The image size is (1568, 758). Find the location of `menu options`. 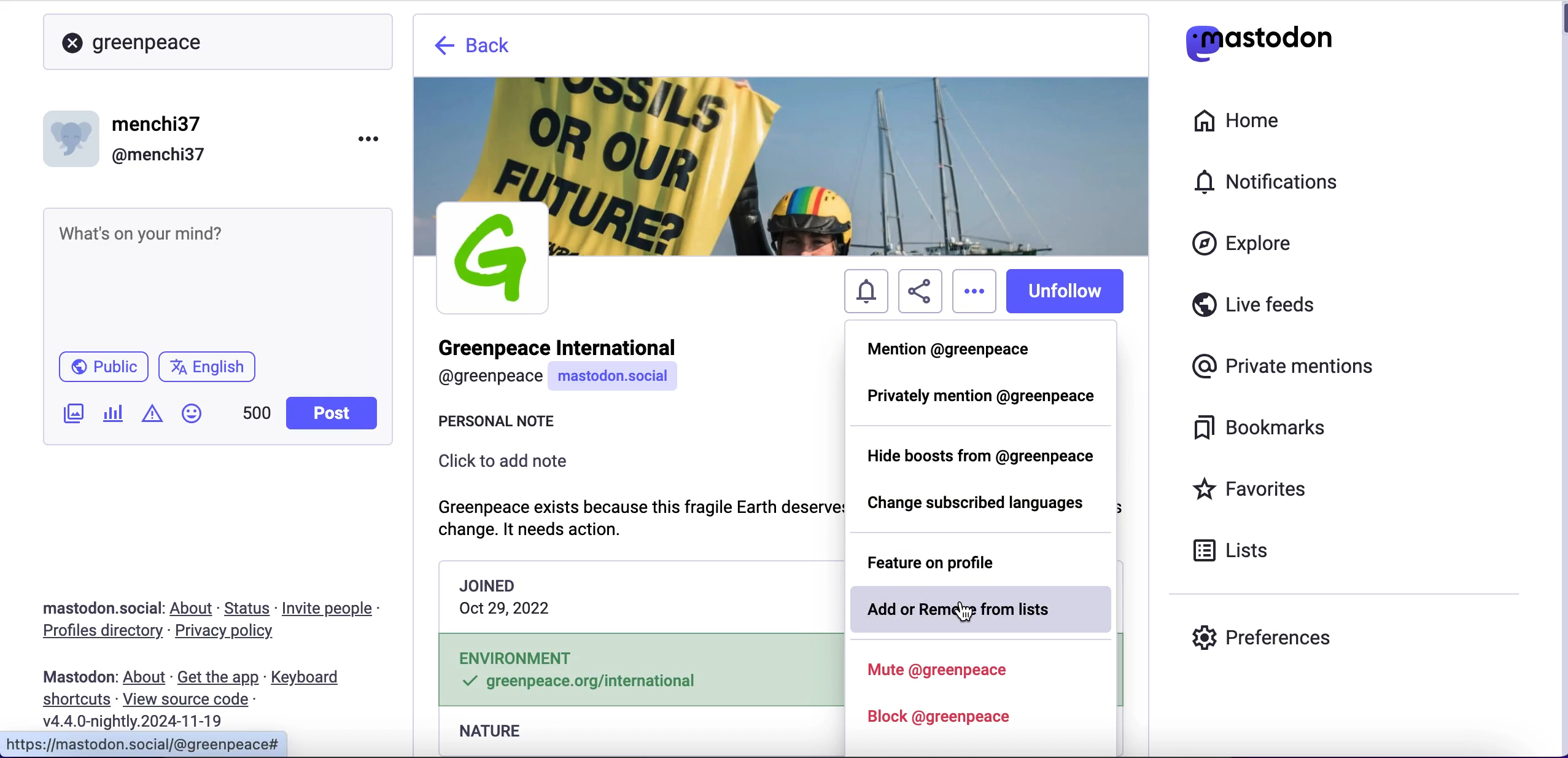

menu options is located at coordinates (373, 138).